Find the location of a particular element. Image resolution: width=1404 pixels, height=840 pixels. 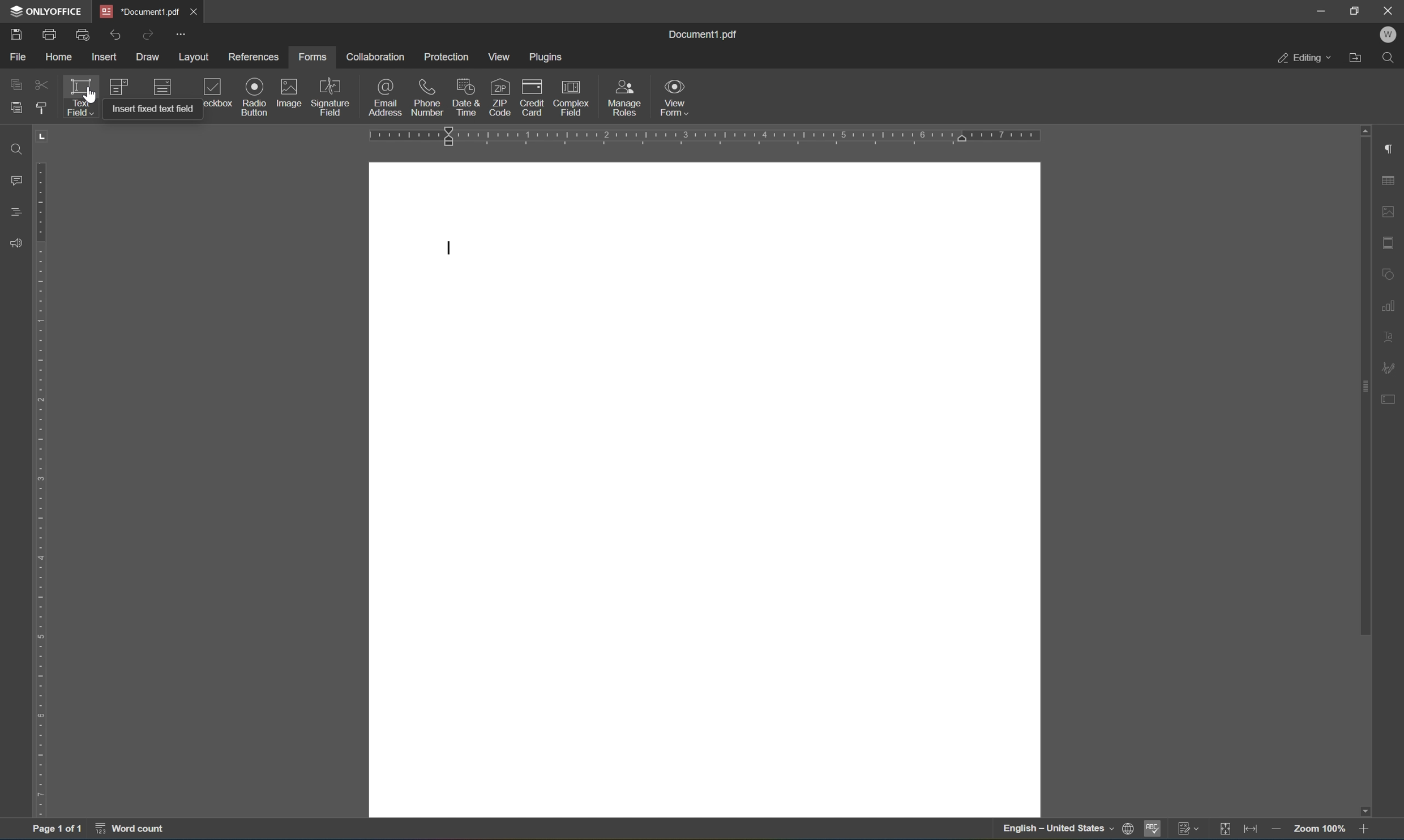

form settings is located at coordinates (1391, 398).